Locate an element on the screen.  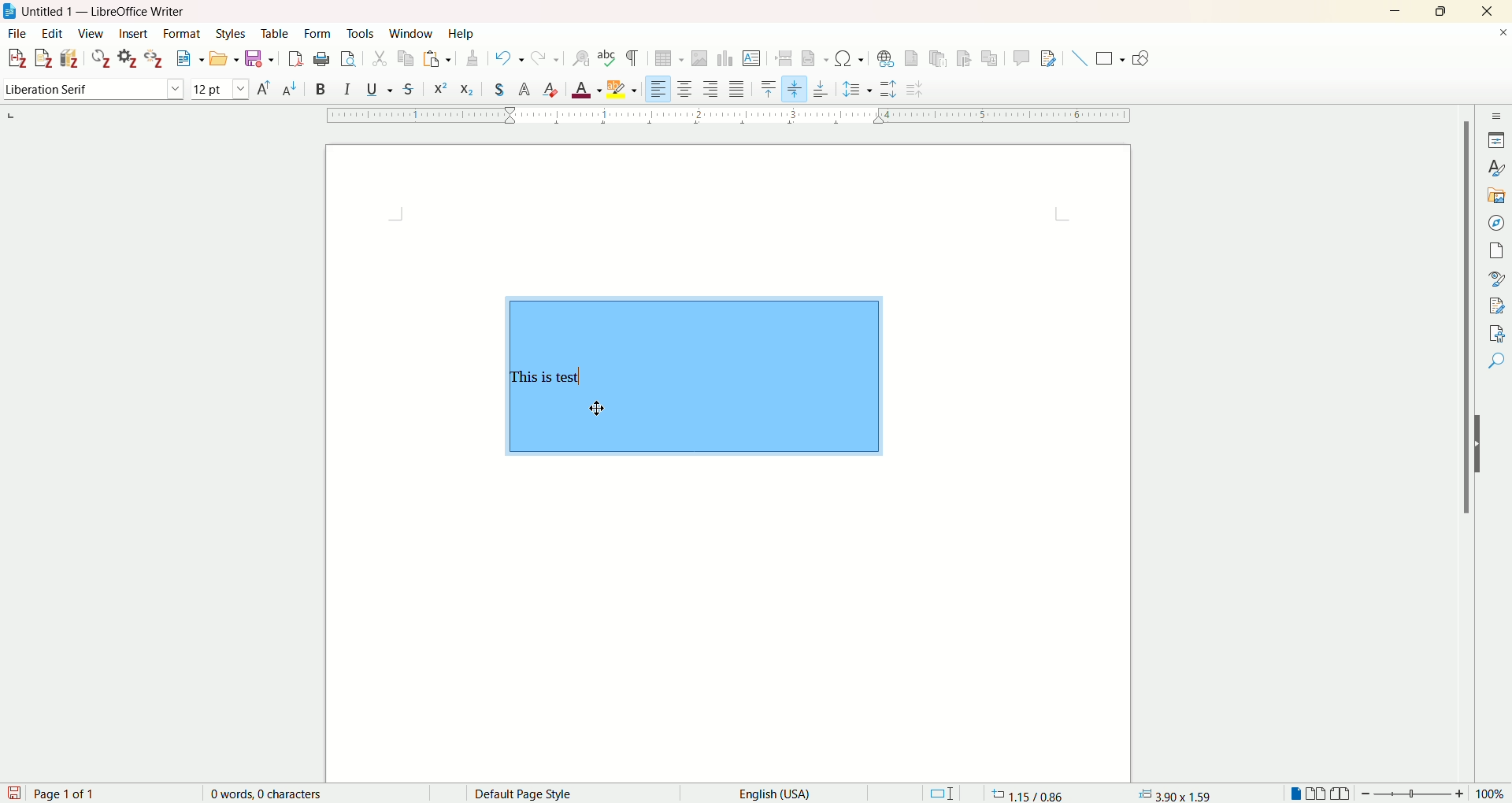
save is located at coordinates (260, 58).